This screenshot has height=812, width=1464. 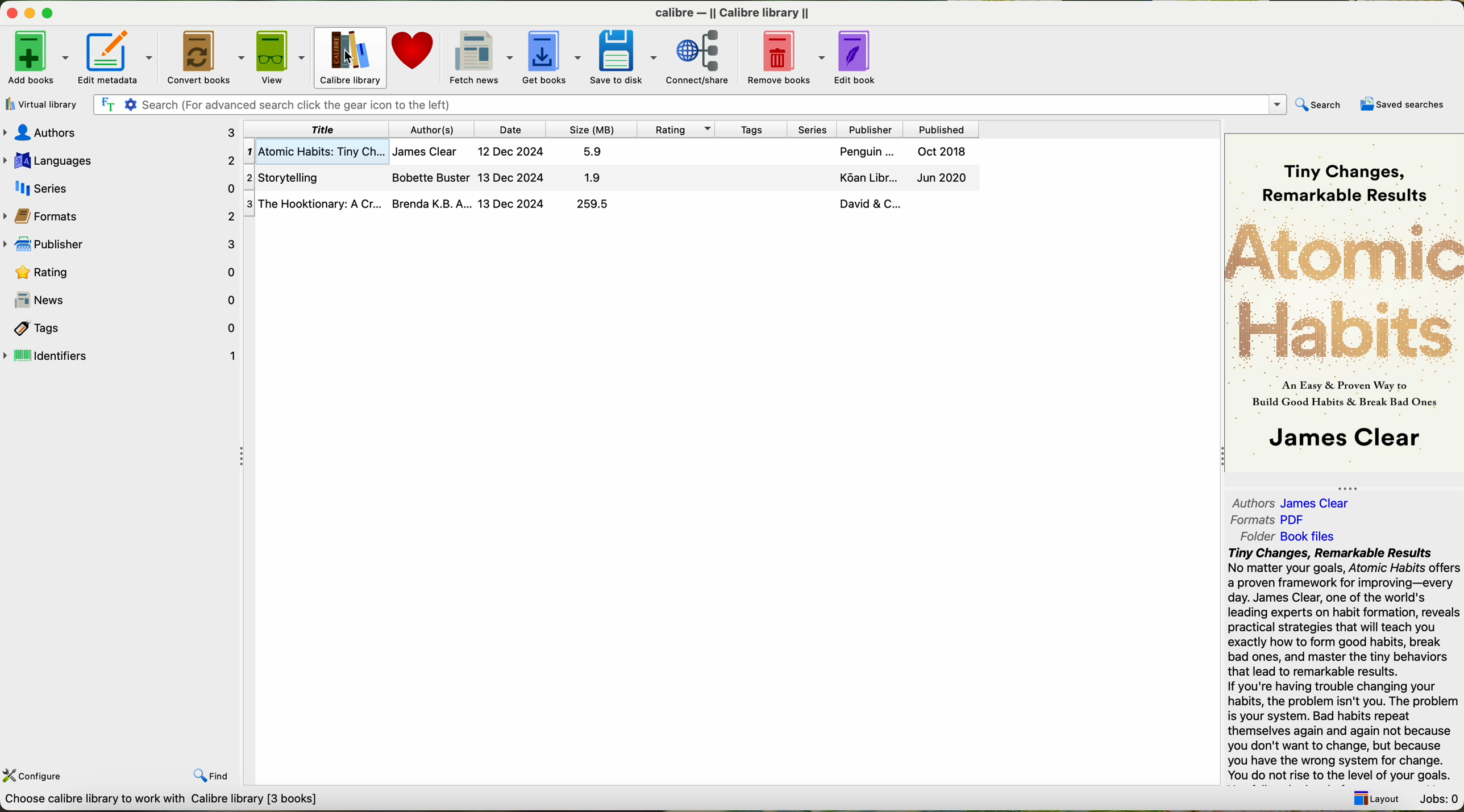 I want to click on authors: James Clear, so click(x=1288, y=500).